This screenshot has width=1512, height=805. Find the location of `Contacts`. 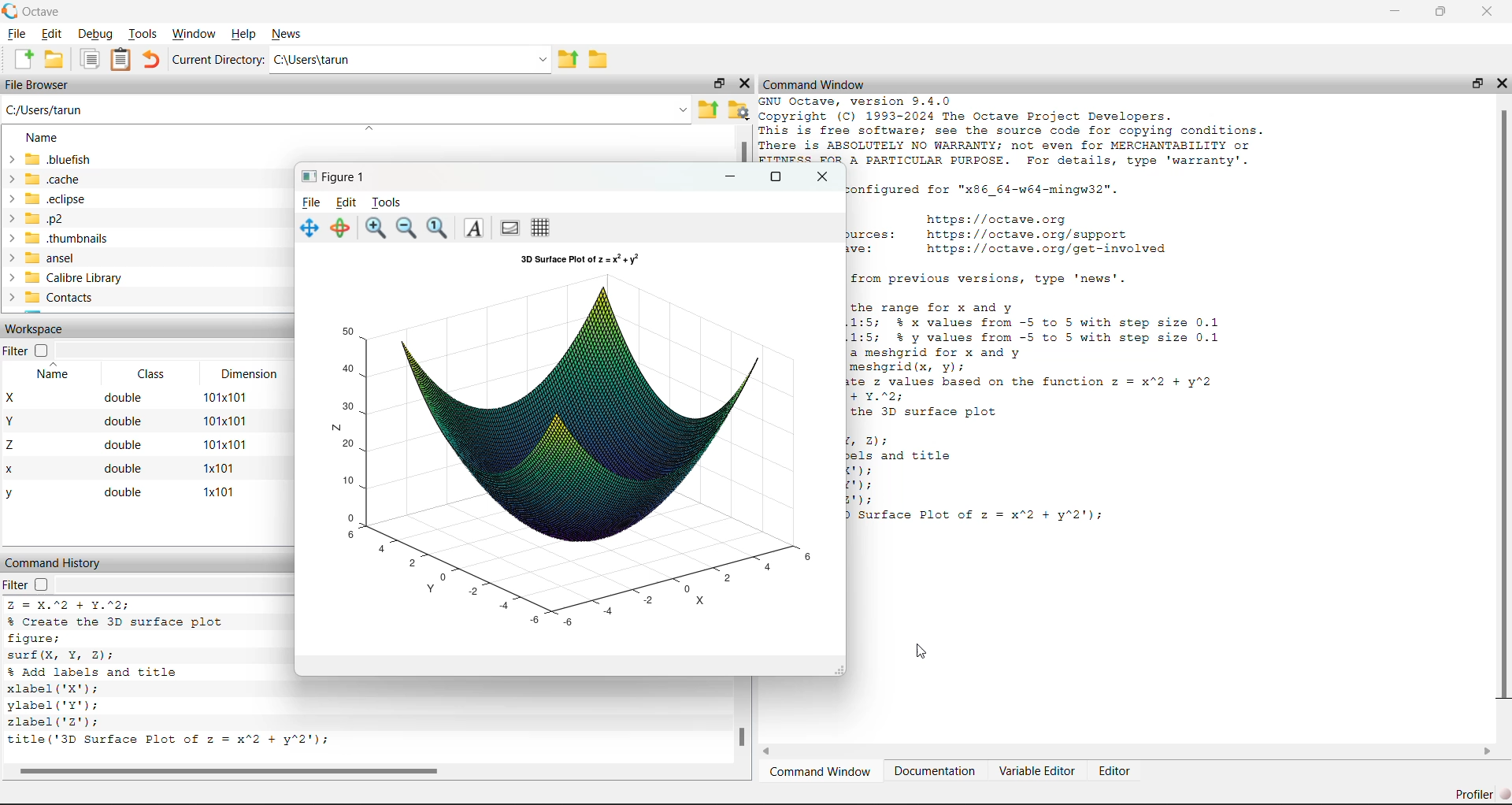

Contacts is located at coordinates (49, 299).